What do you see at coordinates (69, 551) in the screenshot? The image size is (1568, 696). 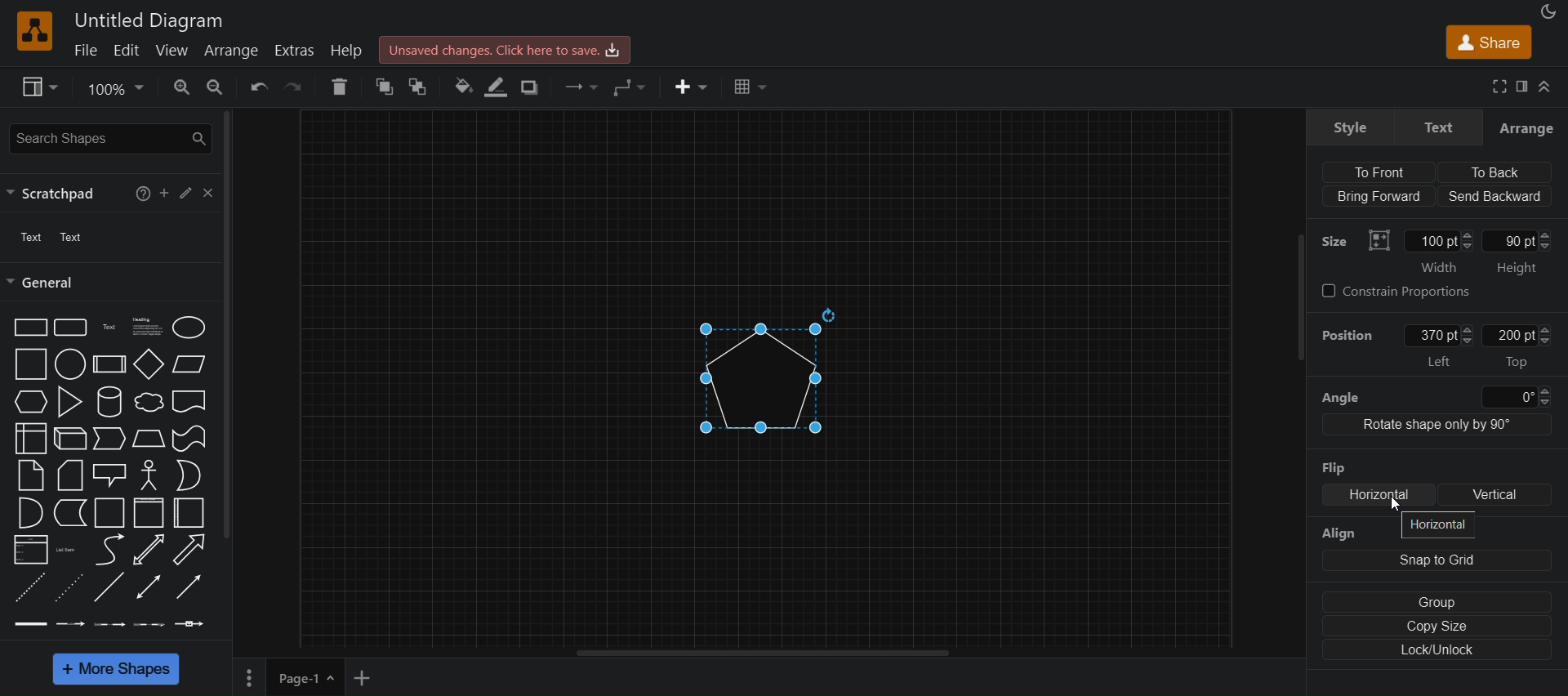 I see `List item` at bounding box center [69, 551].